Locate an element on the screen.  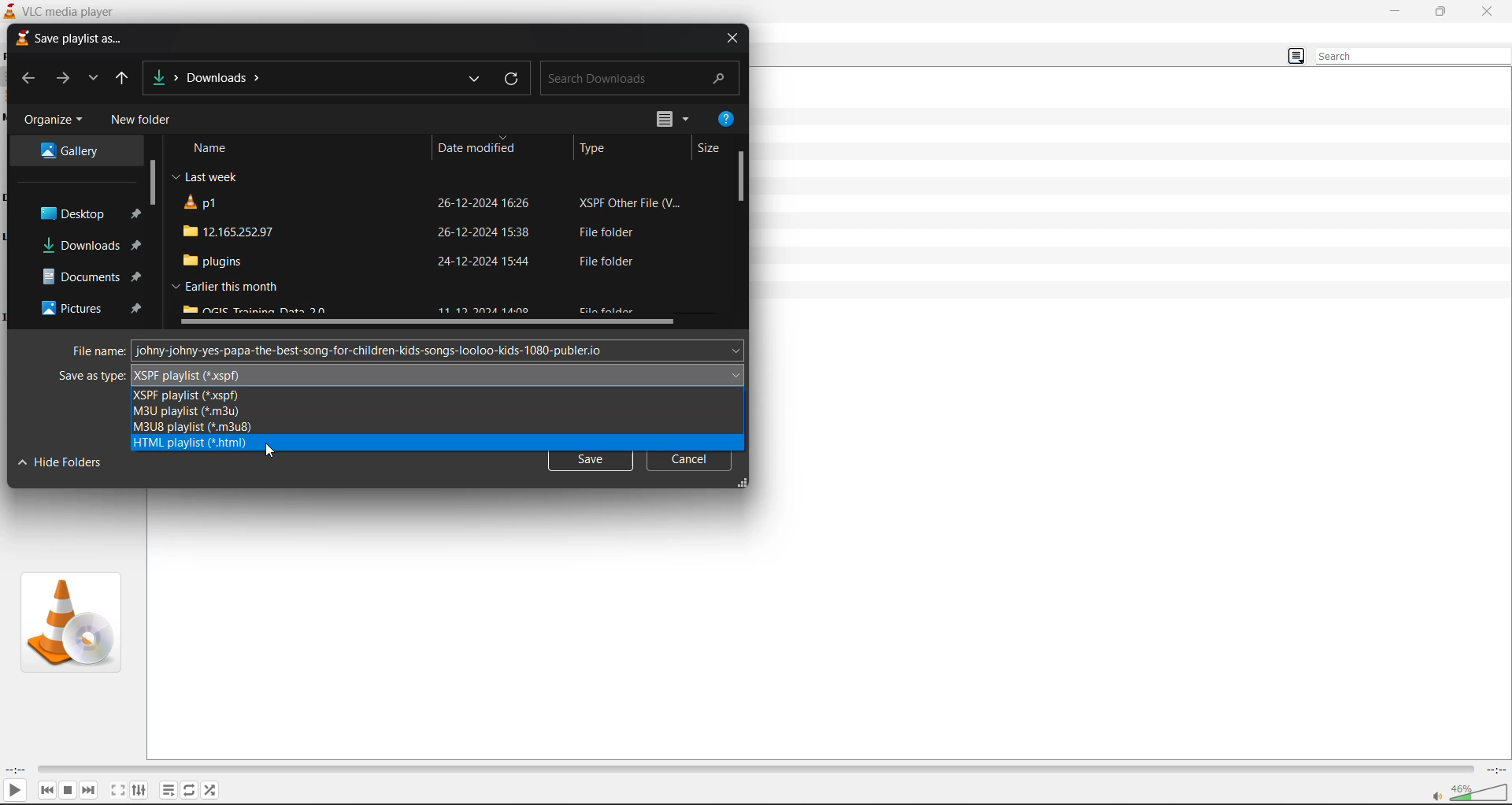
search is located at coordinates (1413, 57).